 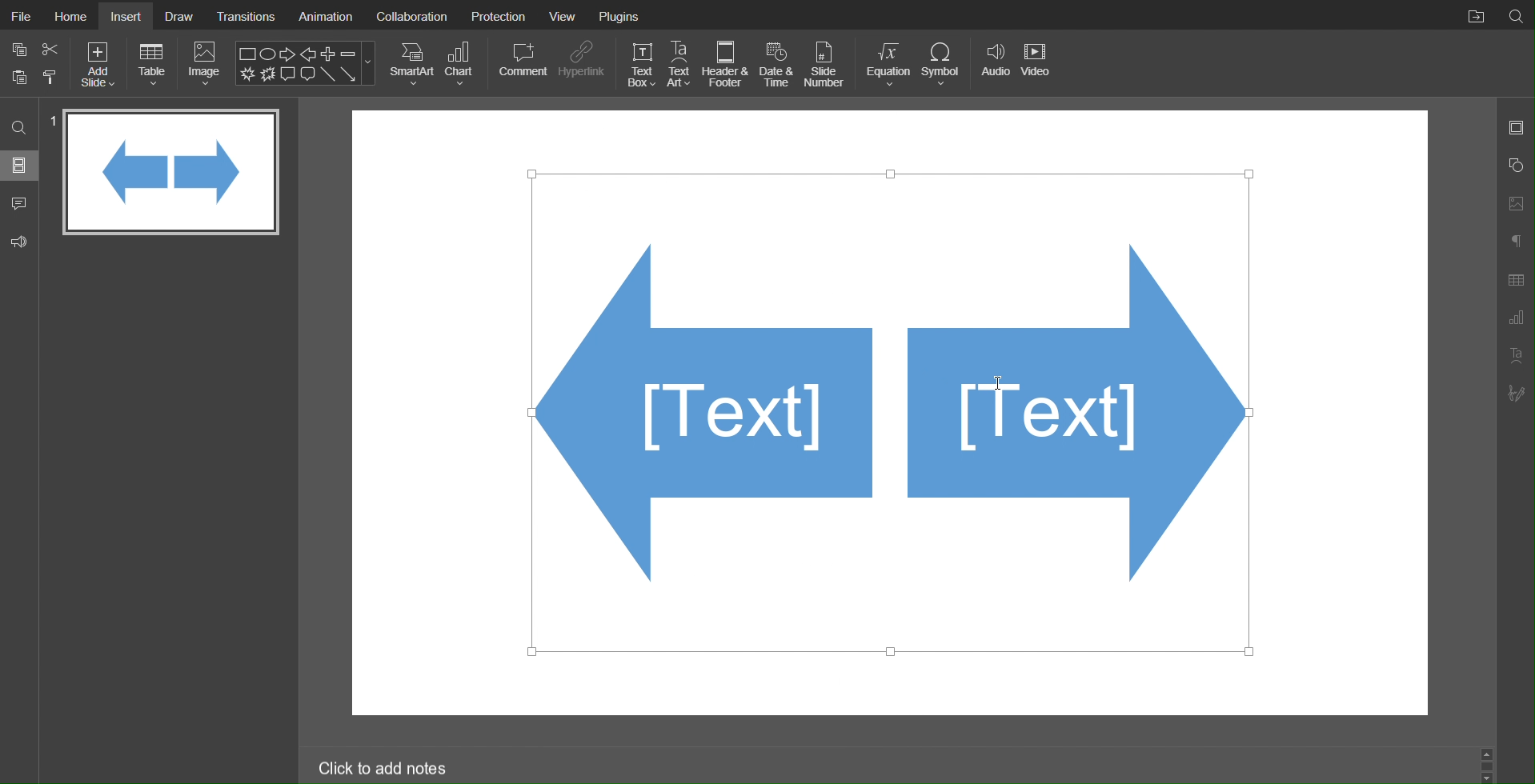 I want to click on Add Slide, so click(x=100, y=65).